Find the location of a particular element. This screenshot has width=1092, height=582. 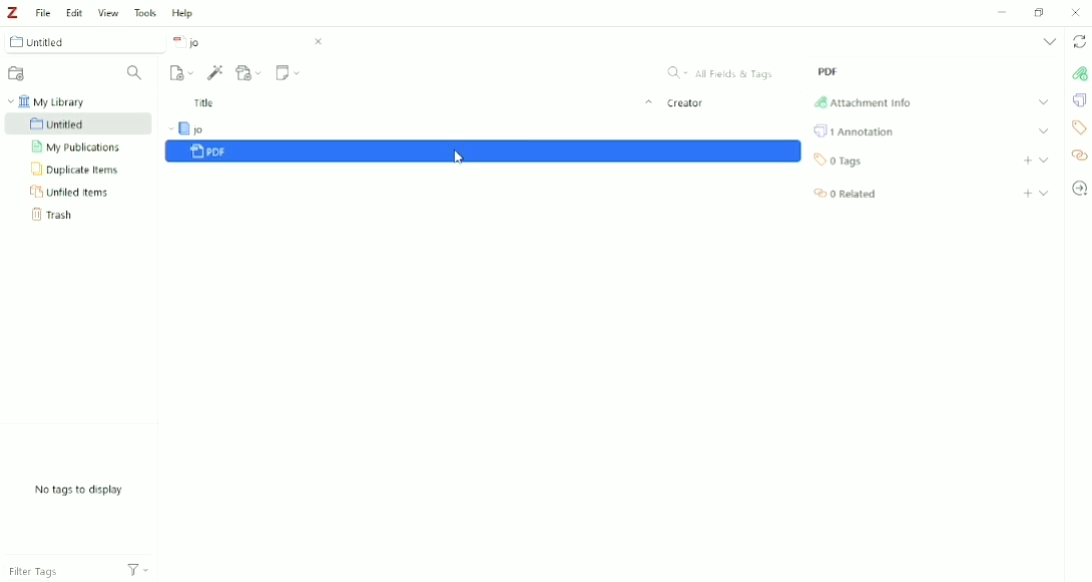

Expand Section is located at coordinates (1042, 102).